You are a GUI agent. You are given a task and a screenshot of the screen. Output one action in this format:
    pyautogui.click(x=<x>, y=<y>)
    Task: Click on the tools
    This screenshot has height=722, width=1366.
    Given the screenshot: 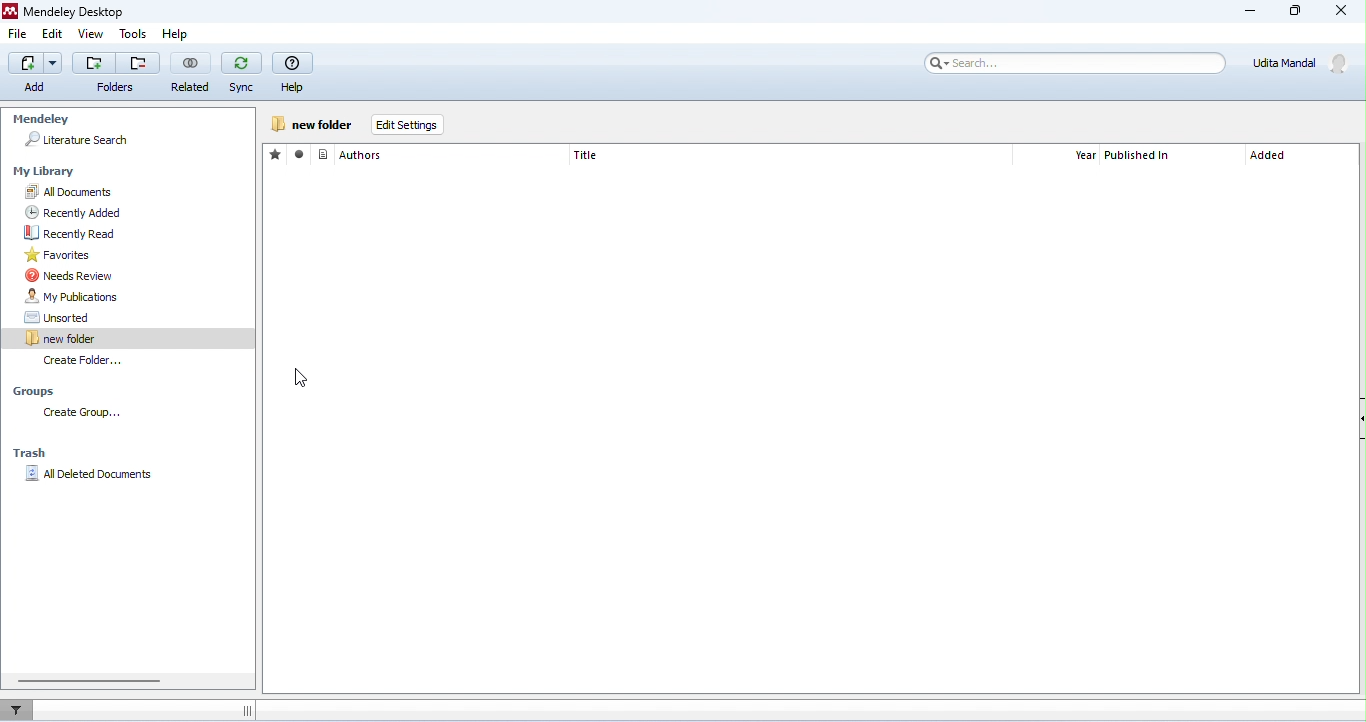 What is the action you would take?
    pyautogui.click(x=134, y=34)
    